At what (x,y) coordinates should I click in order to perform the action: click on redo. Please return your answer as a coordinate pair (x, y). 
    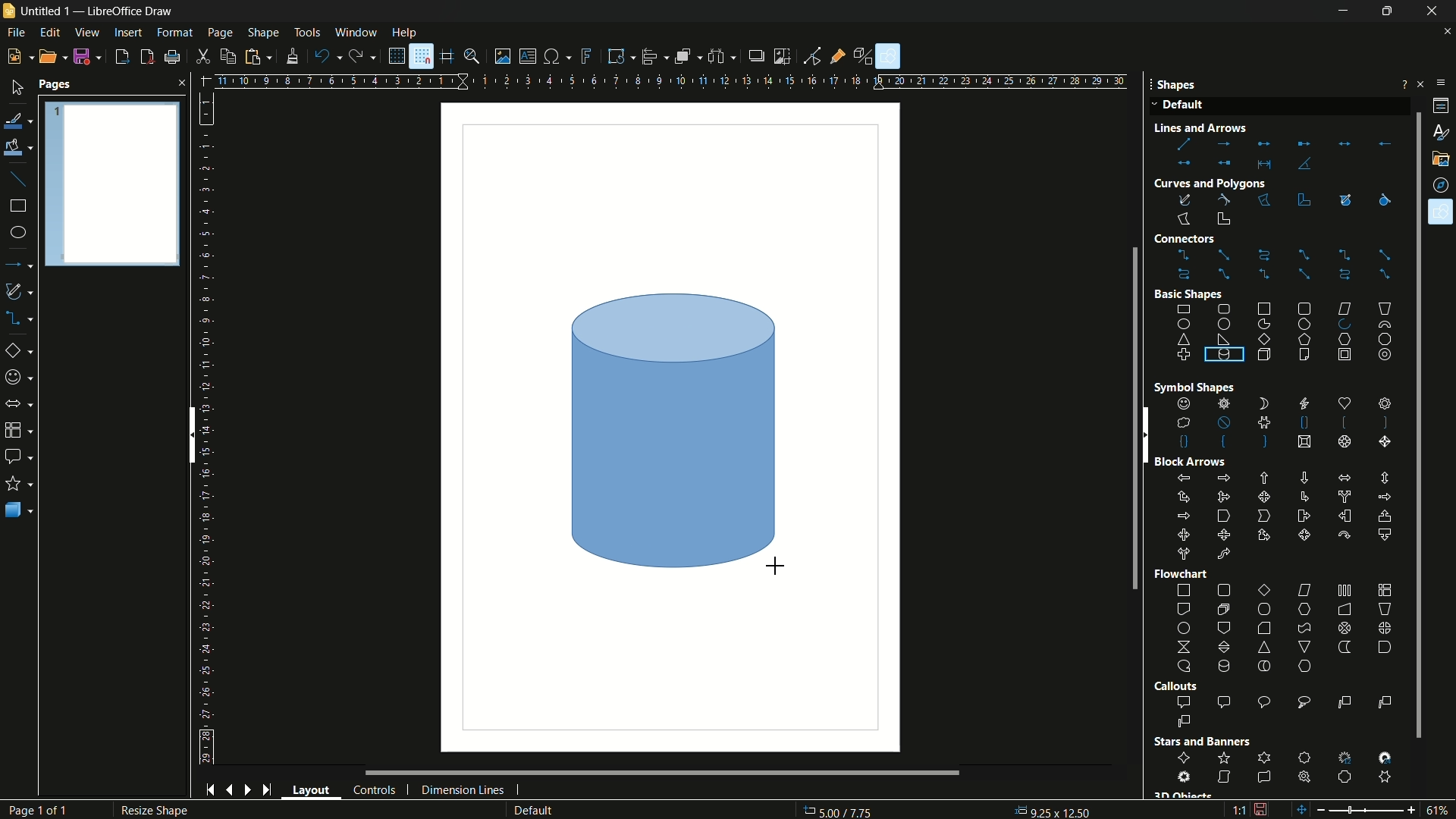
    Looking at the image, I should click on (362, 55).